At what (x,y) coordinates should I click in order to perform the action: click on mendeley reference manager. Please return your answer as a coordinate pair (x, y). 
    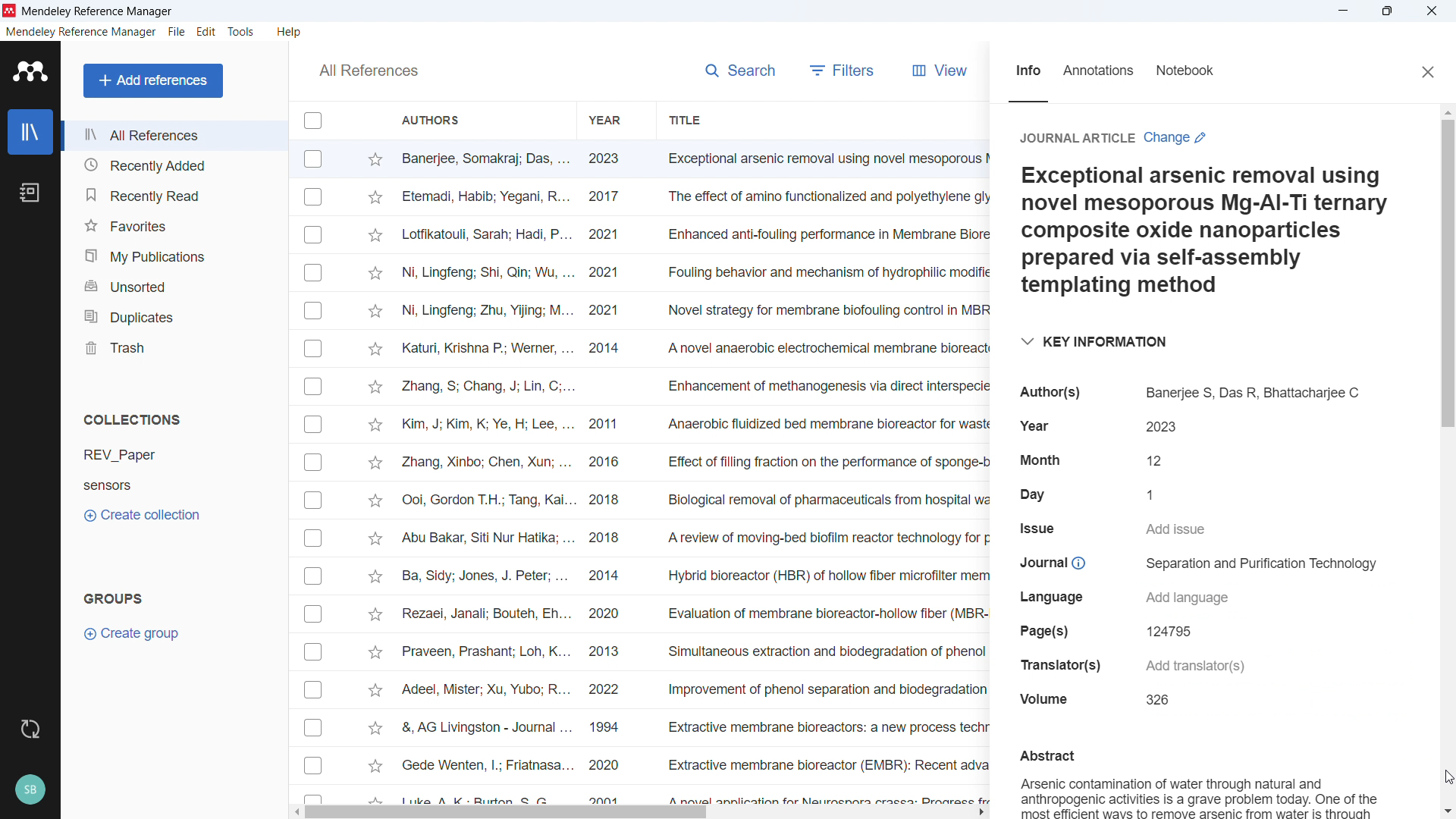
    Looking at the image, I should click on (105, 11).